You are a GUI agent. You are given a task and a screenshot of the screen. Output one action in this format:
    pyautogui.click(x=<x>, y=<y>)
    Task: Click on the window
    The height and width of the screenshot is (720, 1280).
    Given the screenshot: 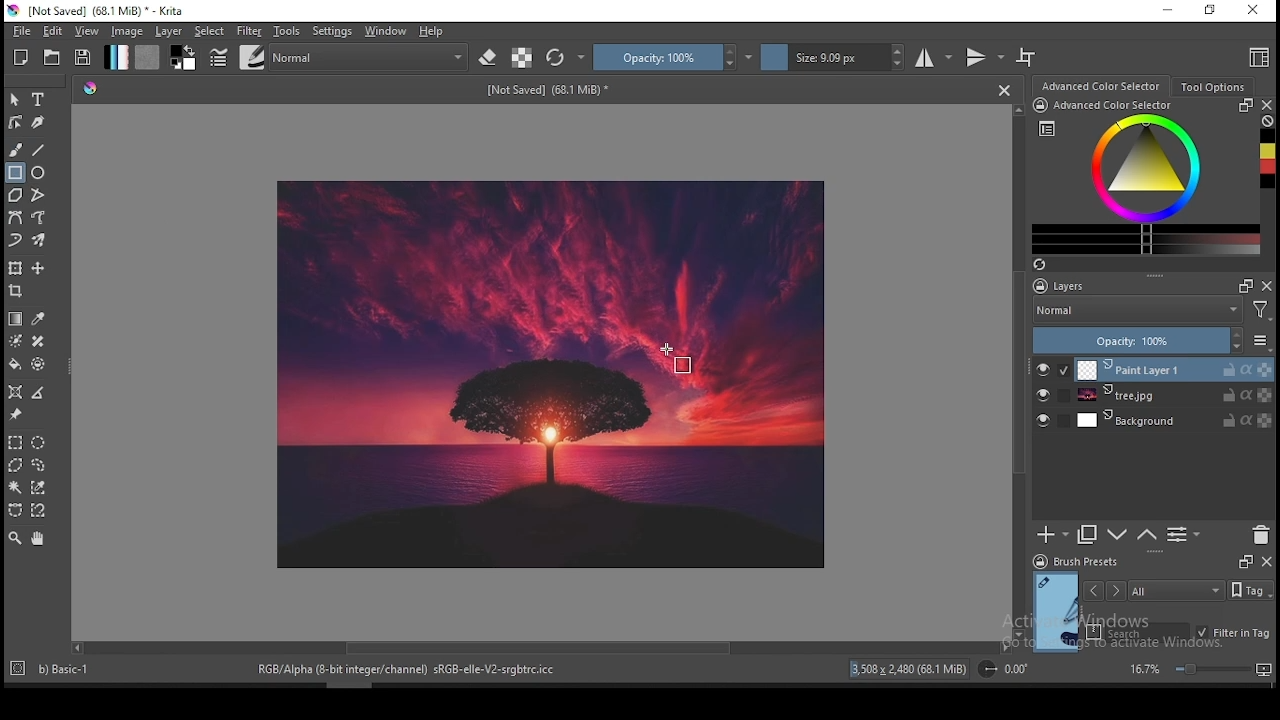 What is the action you would take?
    pyautogui.click(x=386, y=31)
    